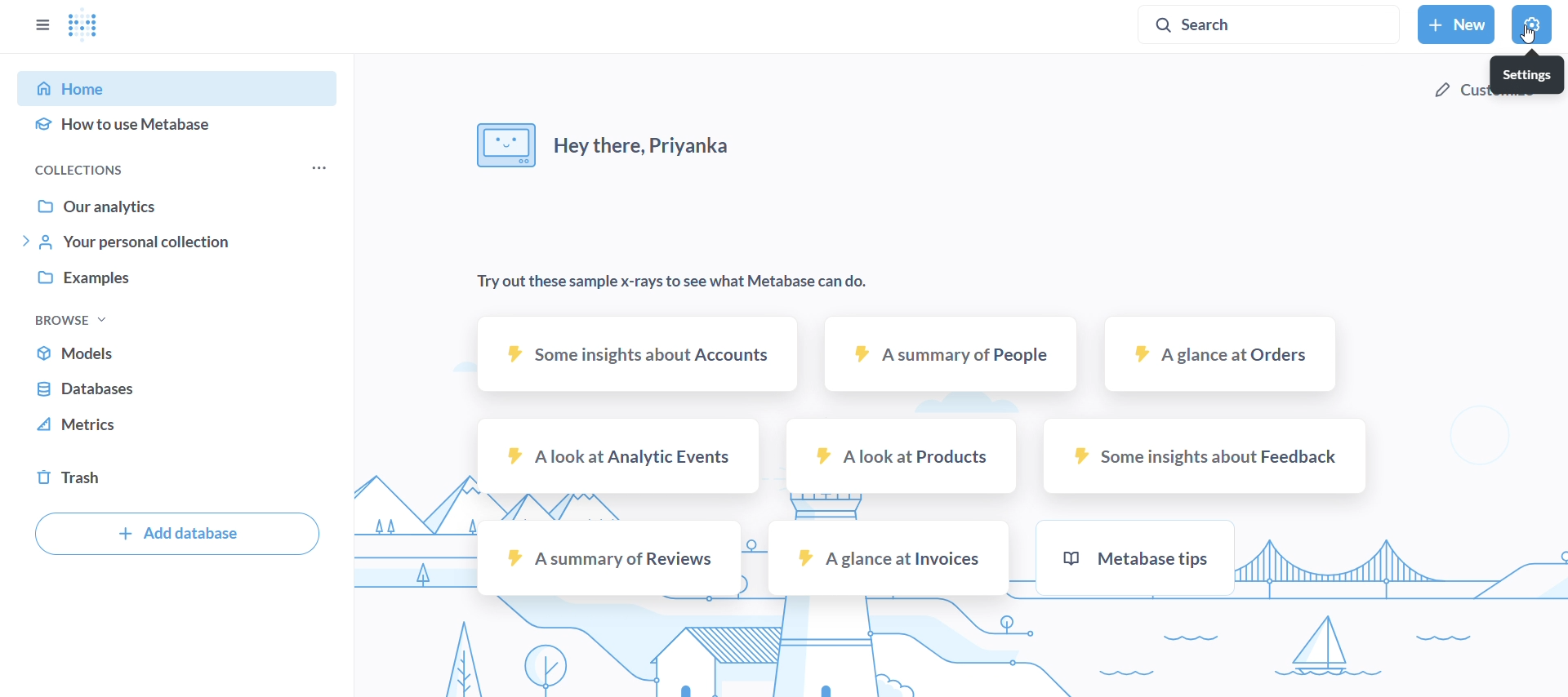  Describe the element at coordinates (176, 389) in the screenshot. I see `databse` at that location.